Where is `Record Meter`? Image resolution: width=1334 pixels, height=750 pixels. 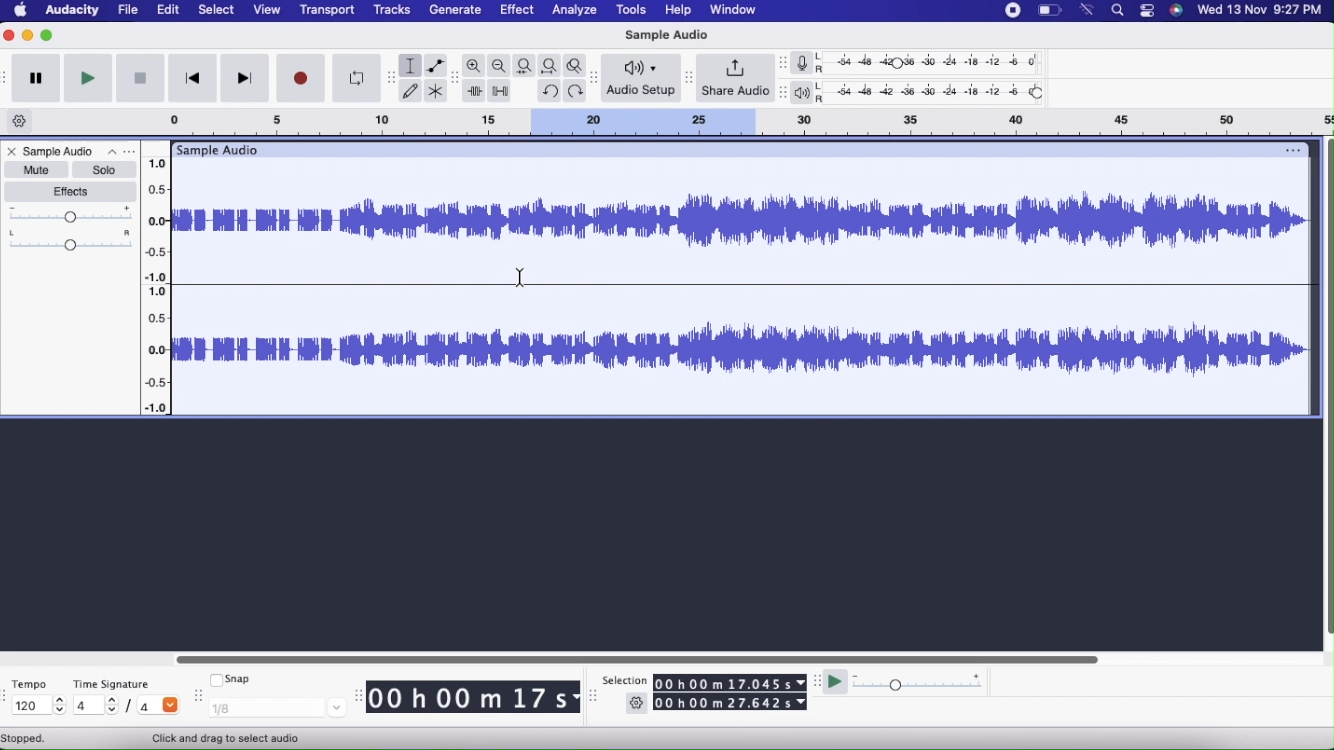 Record Meter is located at coordinates (808, 63).